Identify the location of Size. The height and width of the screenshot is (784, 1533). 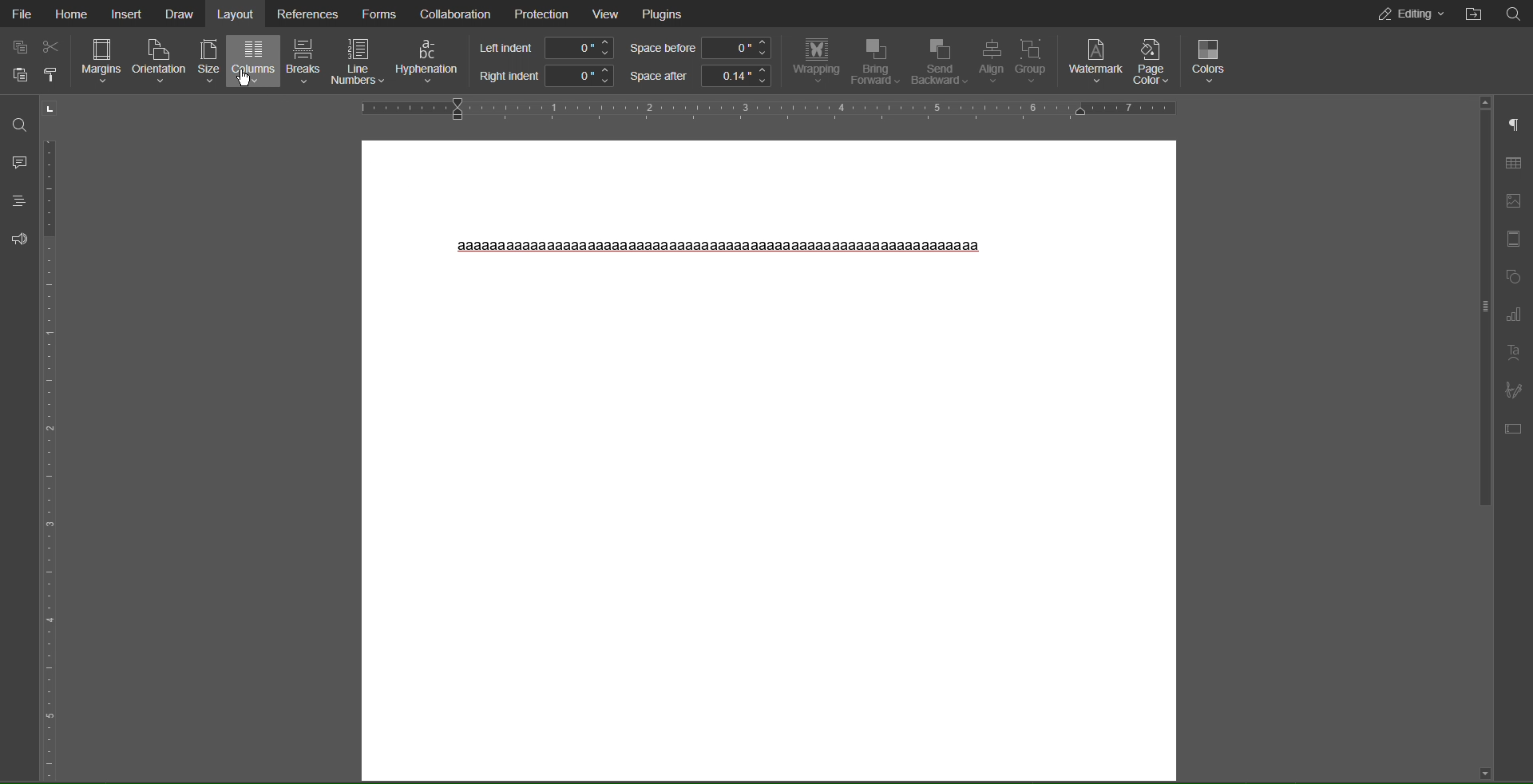
(210, 62).